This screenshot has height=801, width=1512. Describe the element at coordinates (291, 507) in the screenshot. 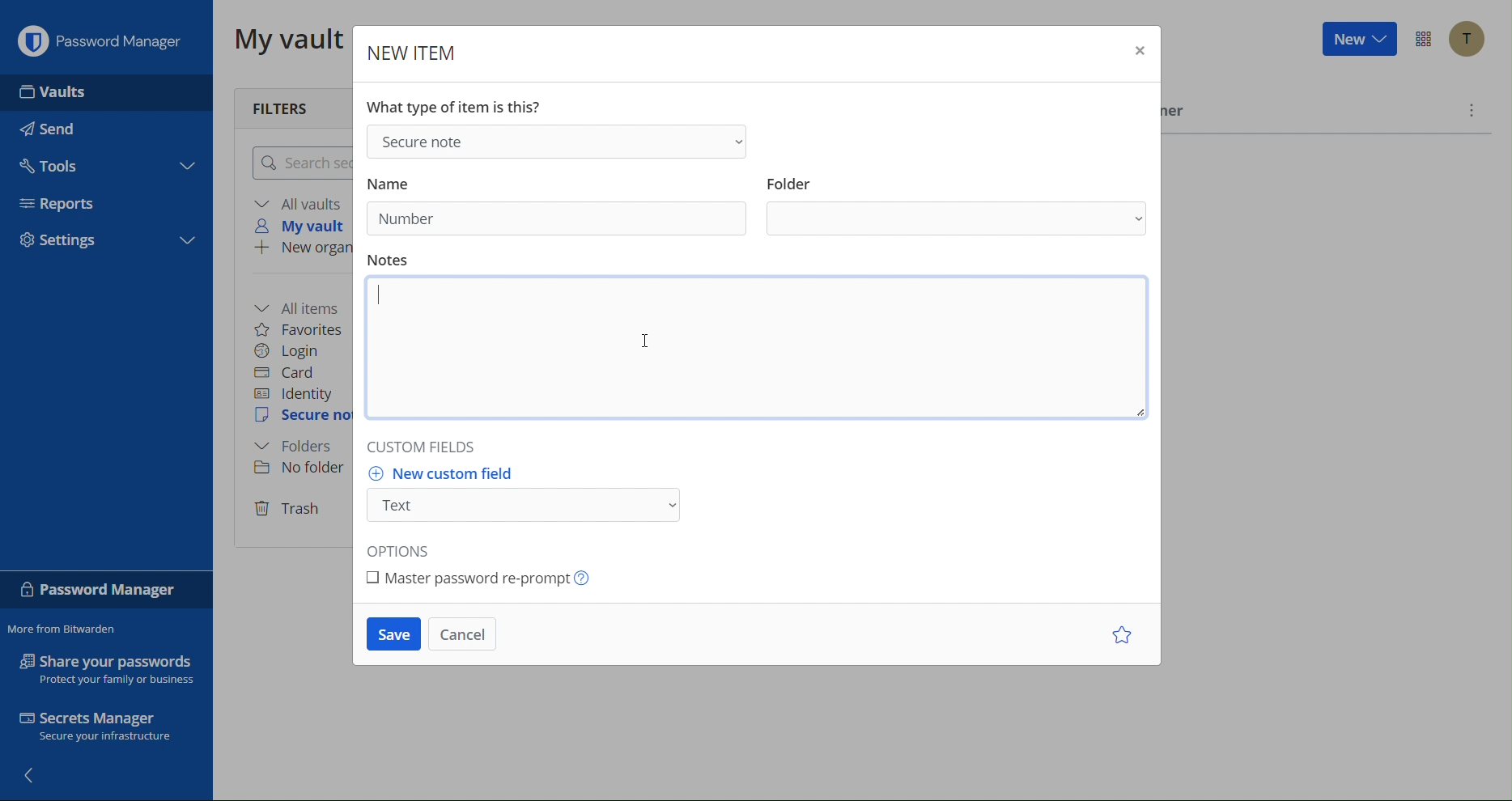

I see `Trash` at that location.